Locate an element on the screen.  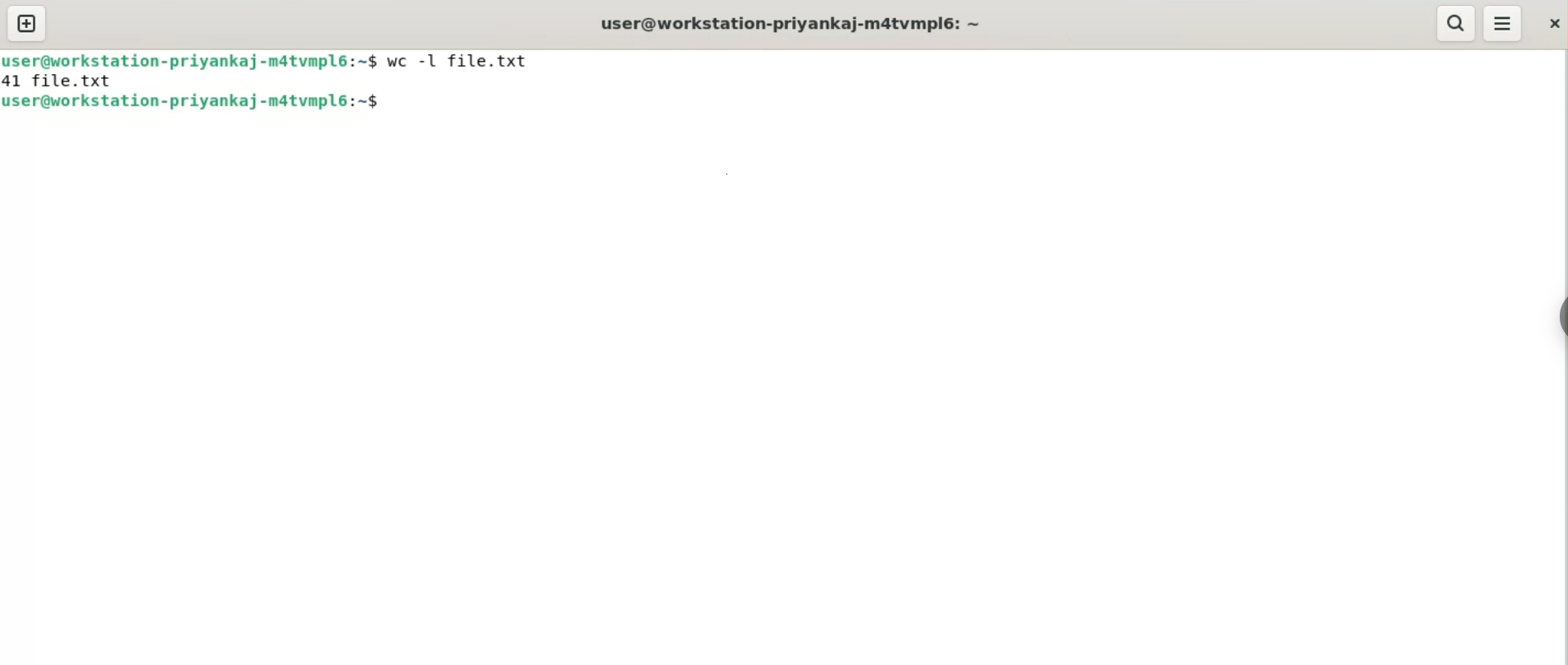
user@workstation-priyankaj-m4tvmpl6: ~$ is located at coordinates (191, 61).